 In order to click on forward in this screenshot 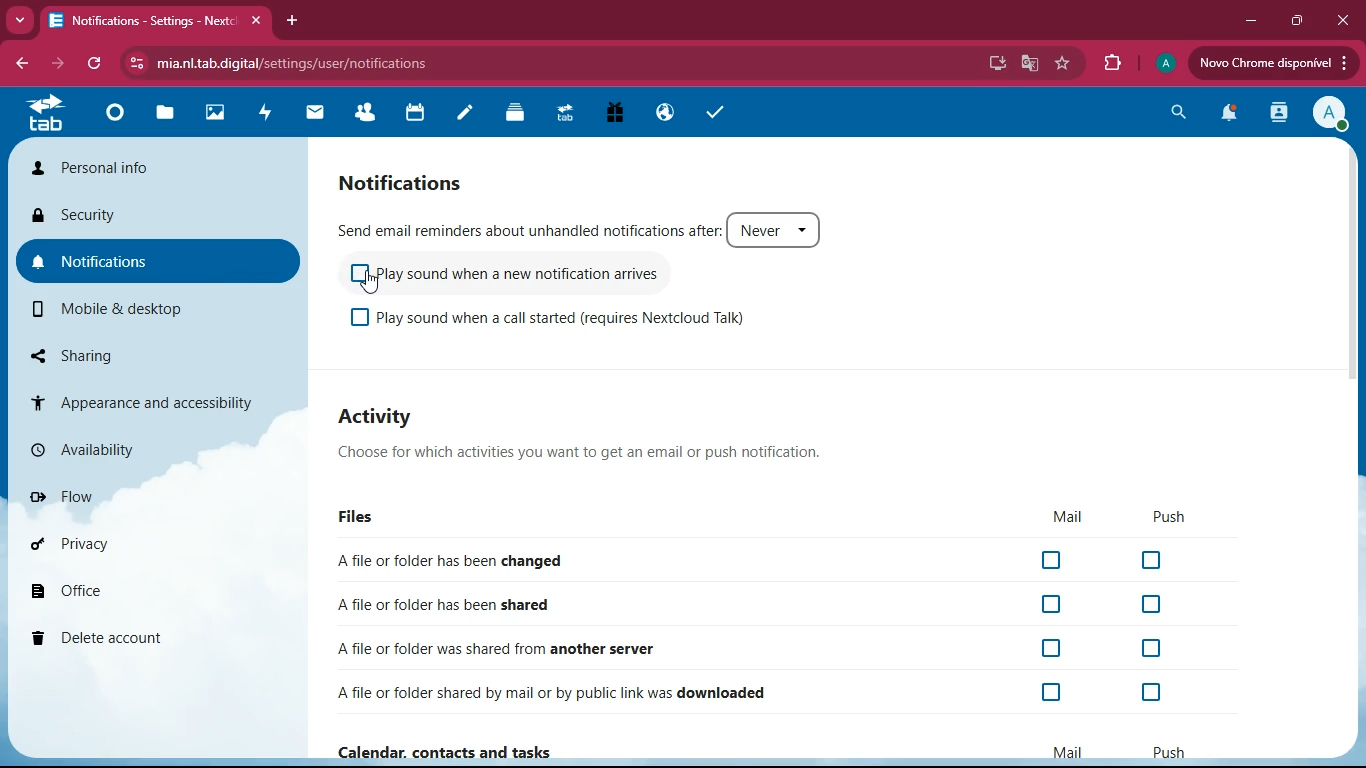, I will do `click(55, 64)`.